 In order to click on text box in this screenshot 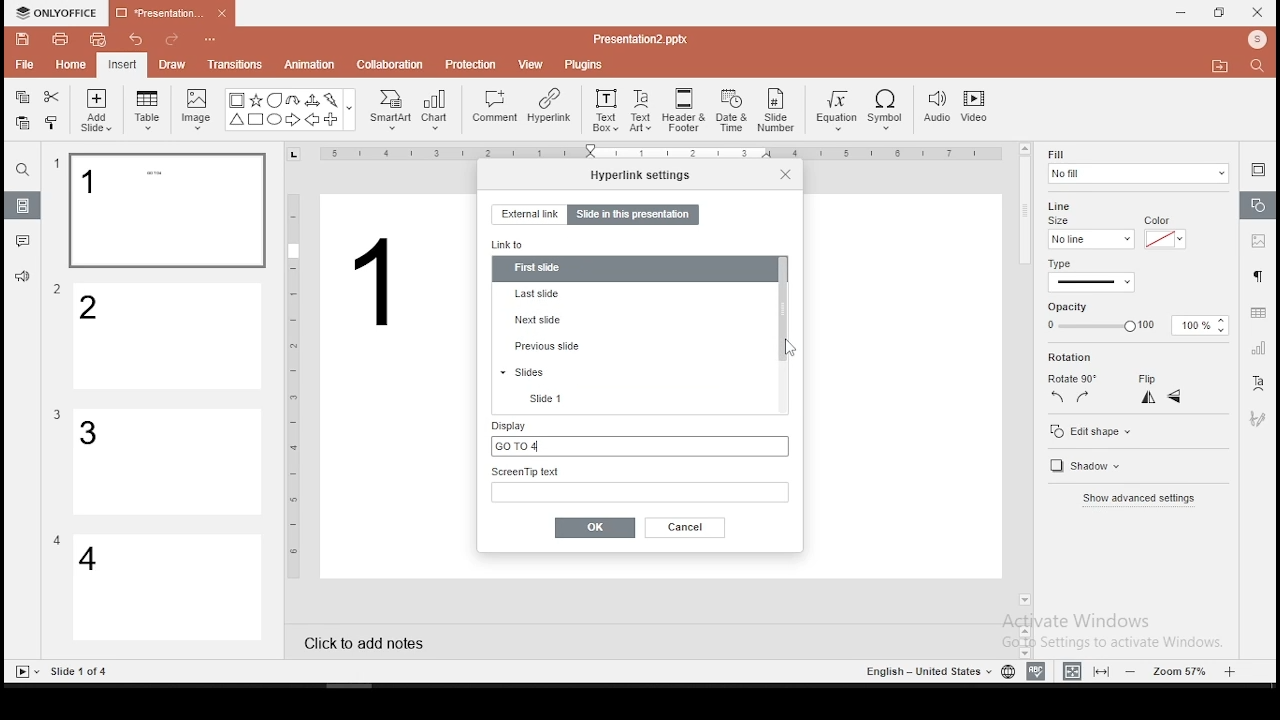, I will do `click(604, 108)`.